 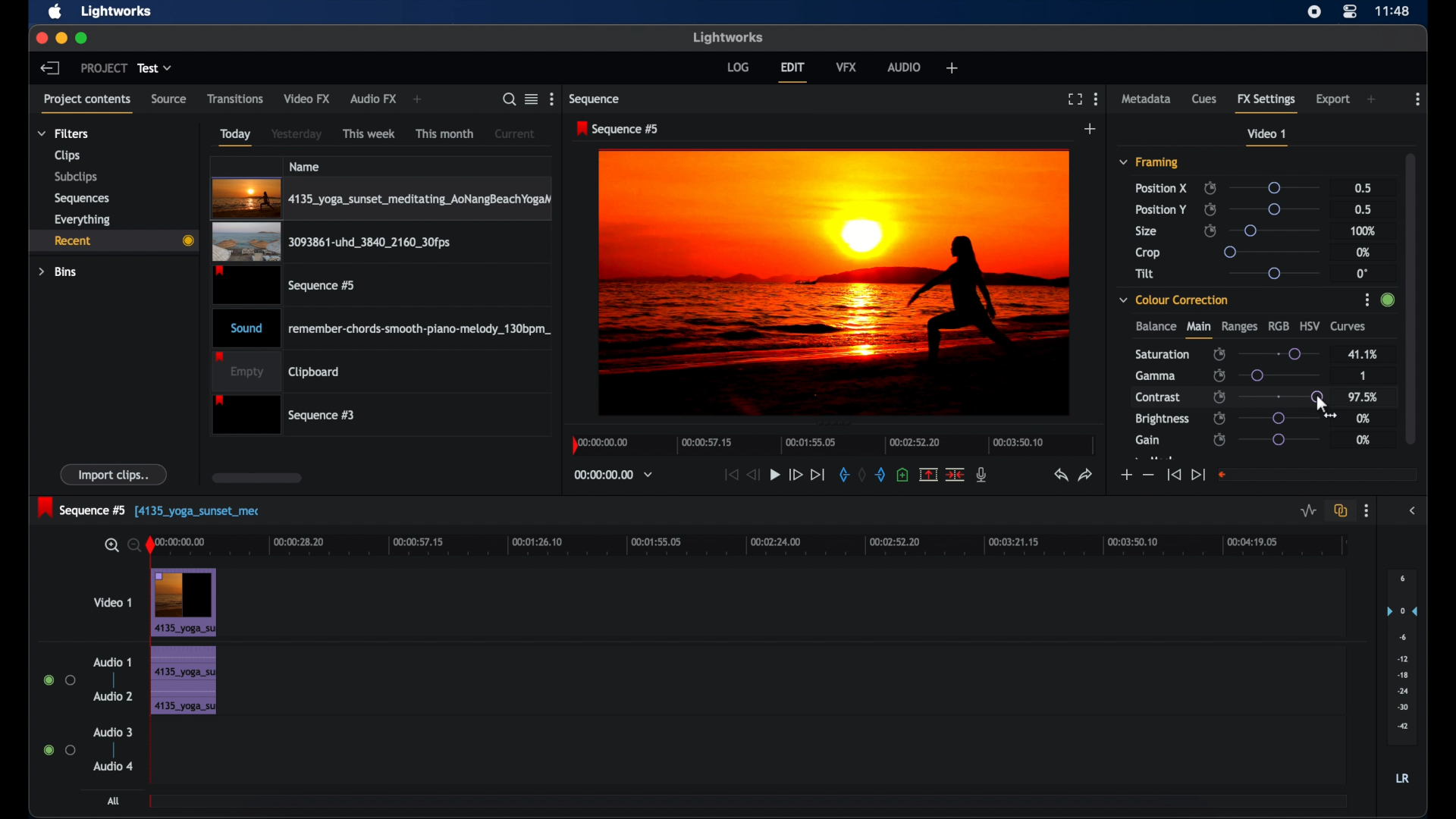 What do you see at coordinates (836, 284) in the screenshot?
I see `video preview` at bounding box center [836, 284].